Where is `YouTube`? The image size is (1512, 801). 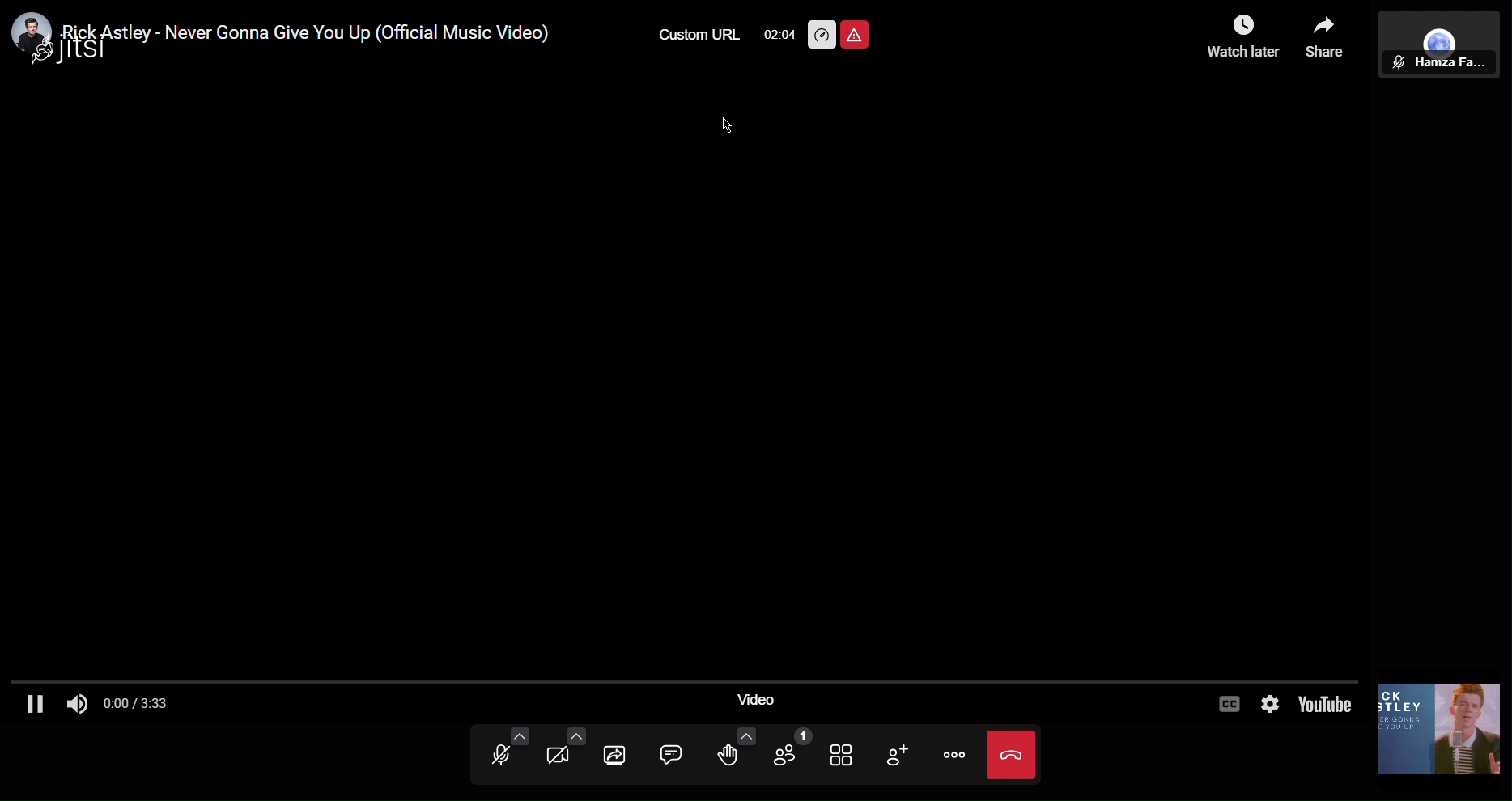 YouTube is located at coordinates (1332, 706).